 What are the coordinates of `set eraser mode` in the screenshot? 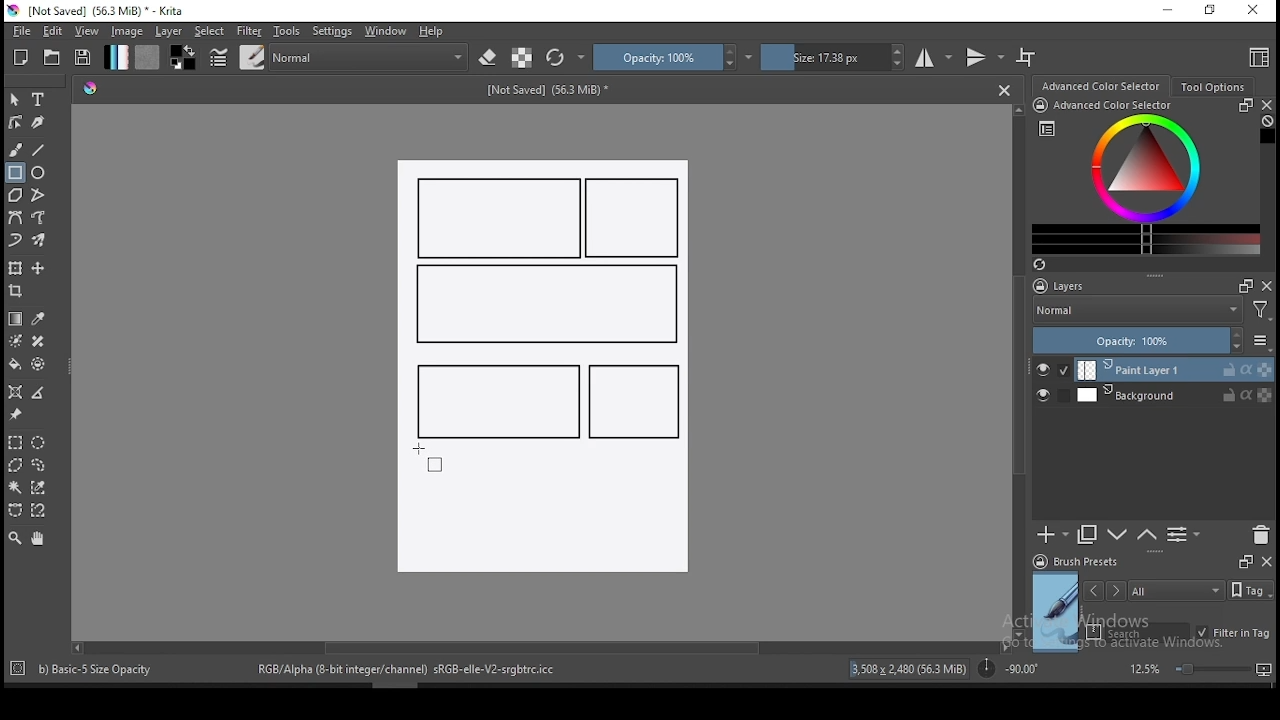 It's located at (490, 58).